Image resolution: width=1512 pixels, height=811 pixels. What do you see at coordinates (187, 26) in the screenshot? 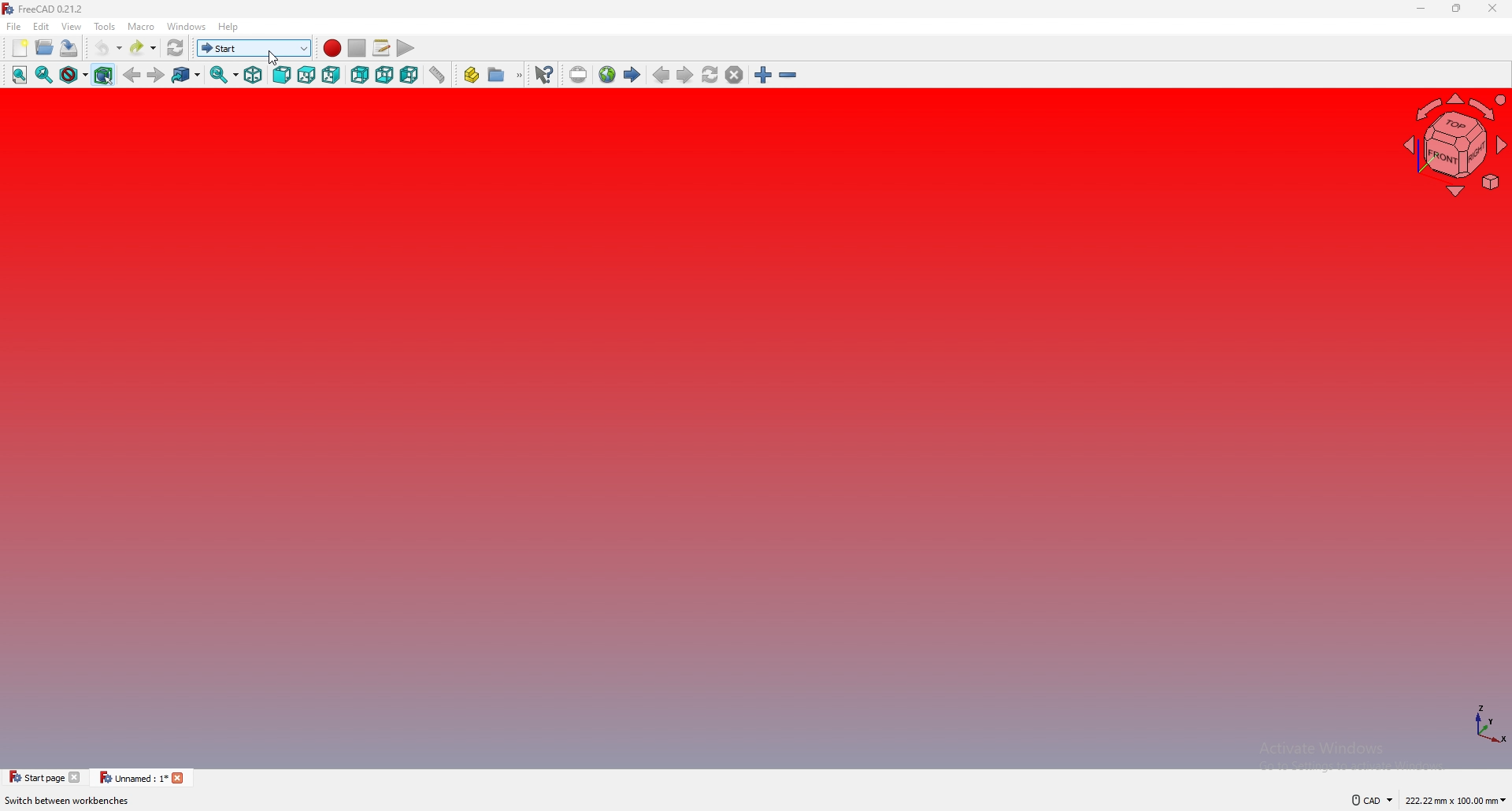
I see `windows` at bounding box center [187, 26].